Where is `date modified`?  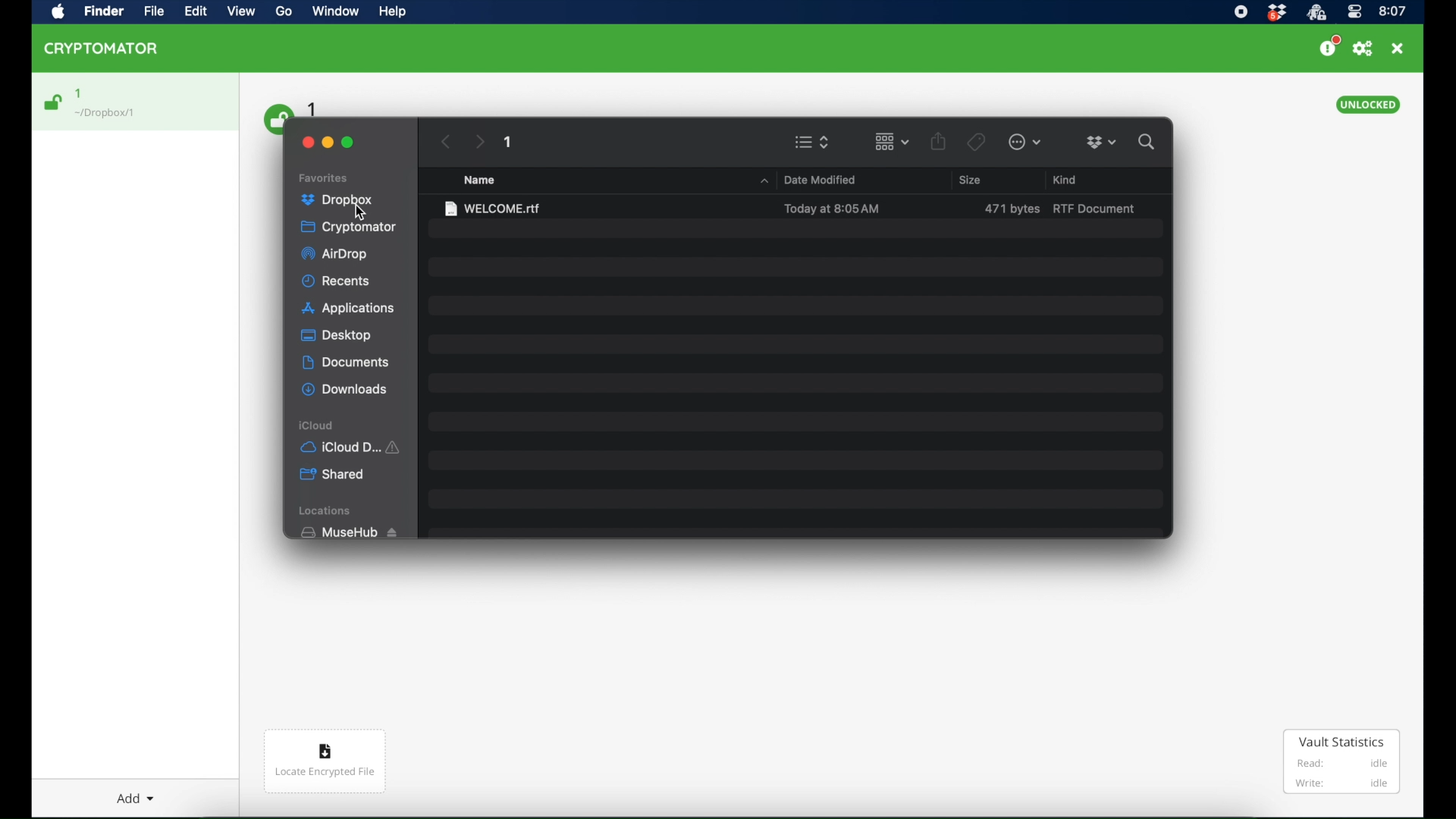
date modified is located at coordinates (819, 180).